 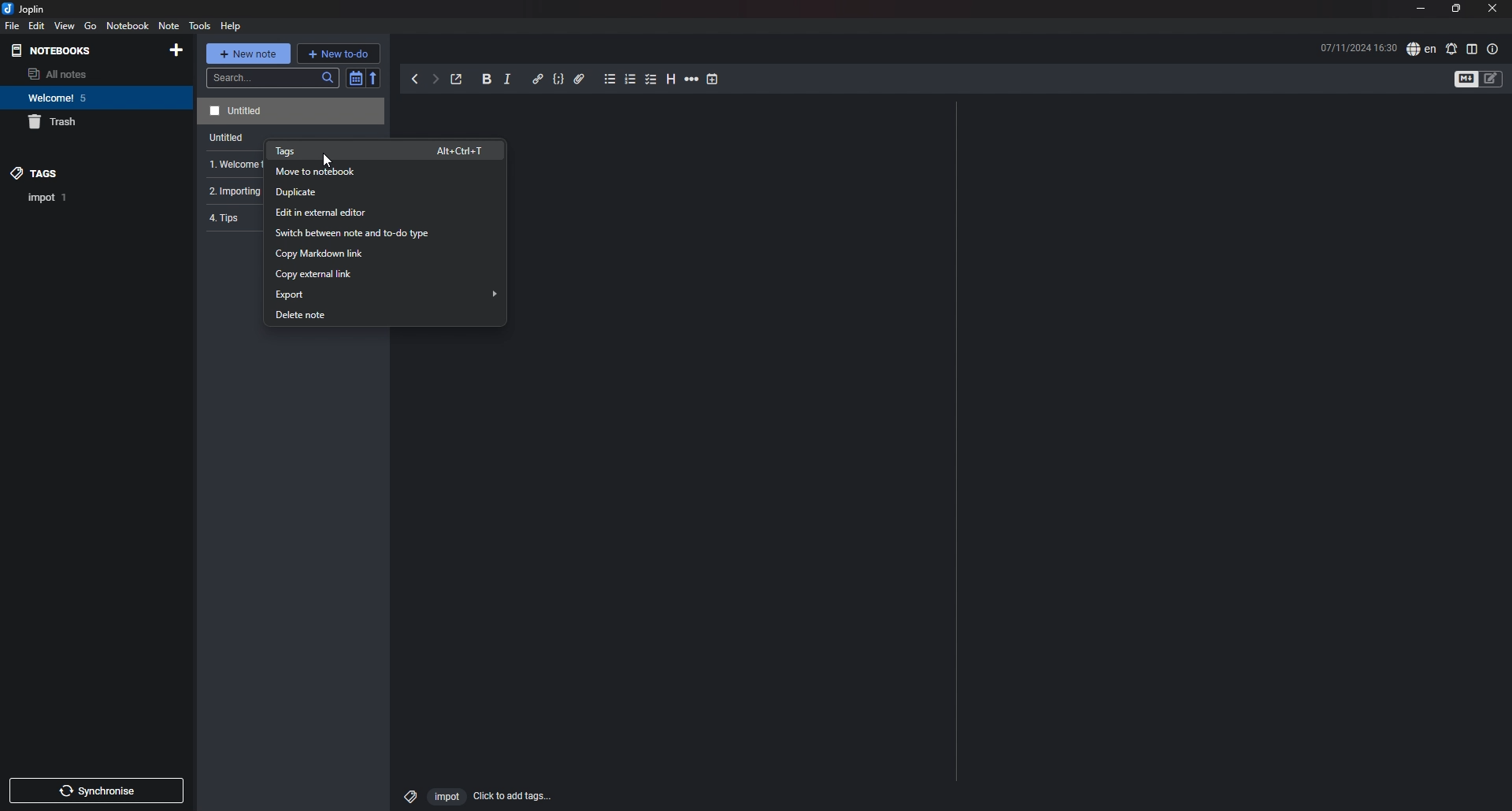 What do you see at coordinates (669, 79) in the screenshot?
I see `heading` at bounding box center [669, 79].